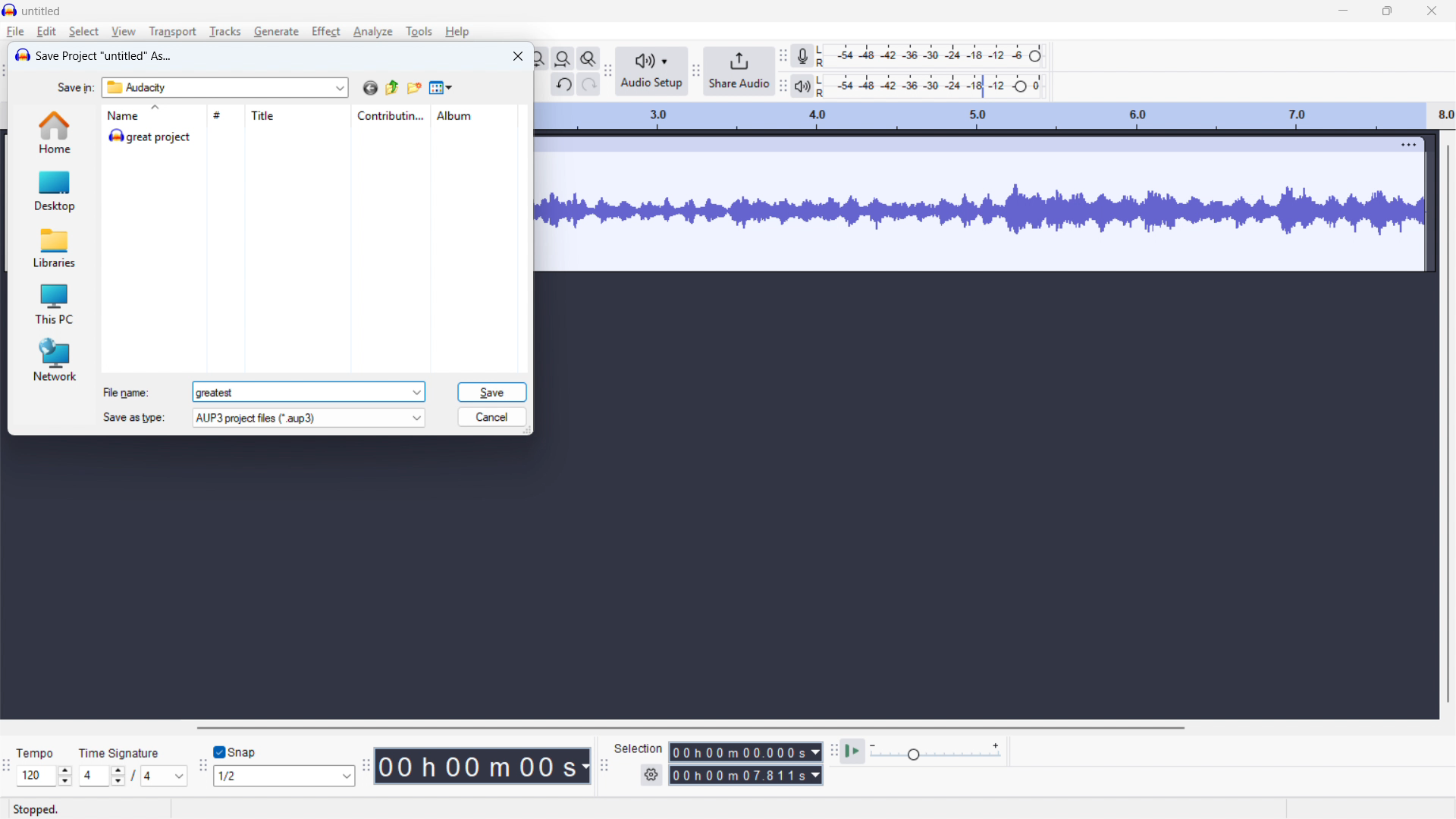  I want to click on set time signature, so click(133, 776).